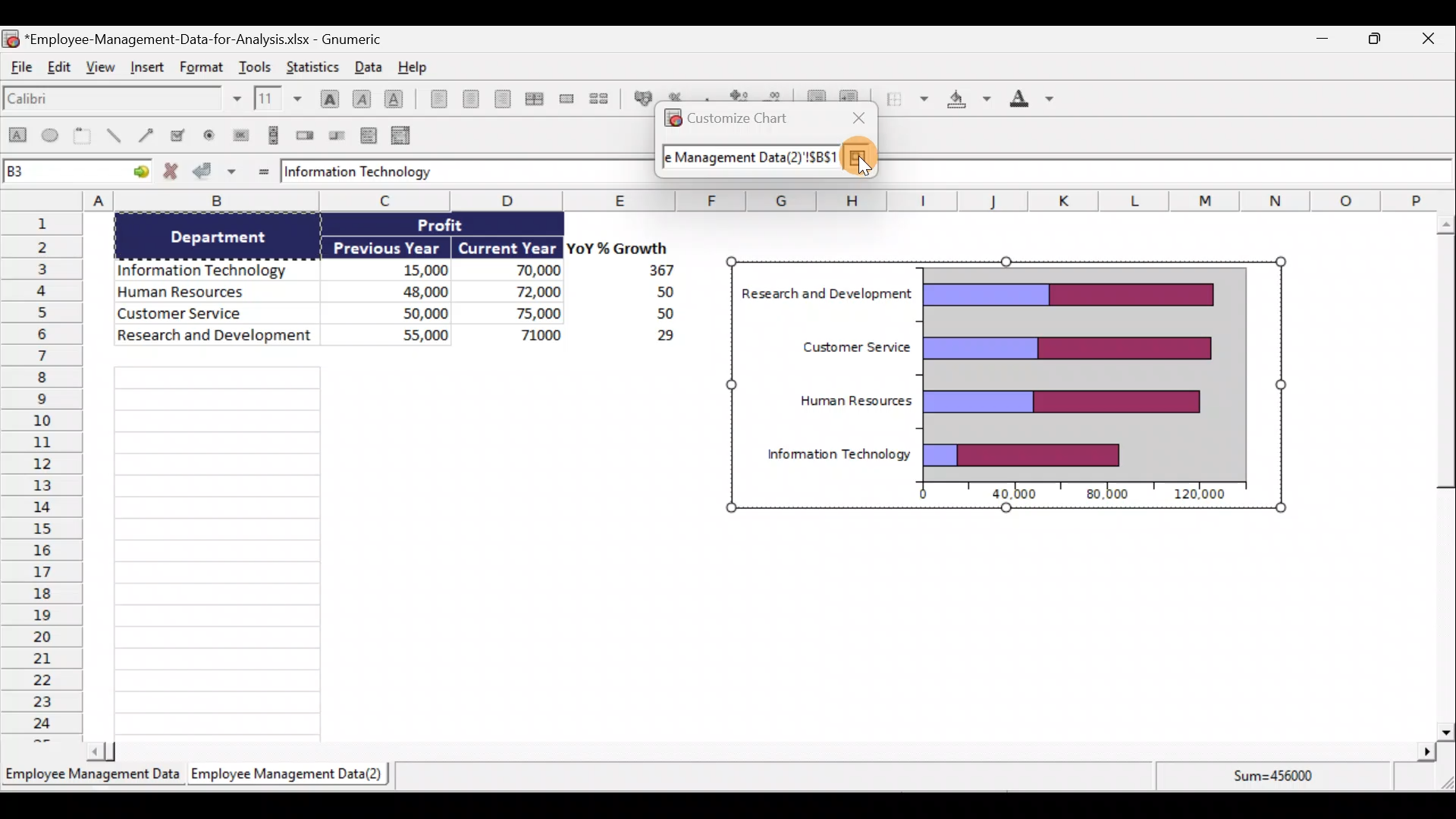 The width and height of the screenshot is (1456, 819). Describe the element at coordinates (370, 66) in the screenshot. I see `Data` at that location.